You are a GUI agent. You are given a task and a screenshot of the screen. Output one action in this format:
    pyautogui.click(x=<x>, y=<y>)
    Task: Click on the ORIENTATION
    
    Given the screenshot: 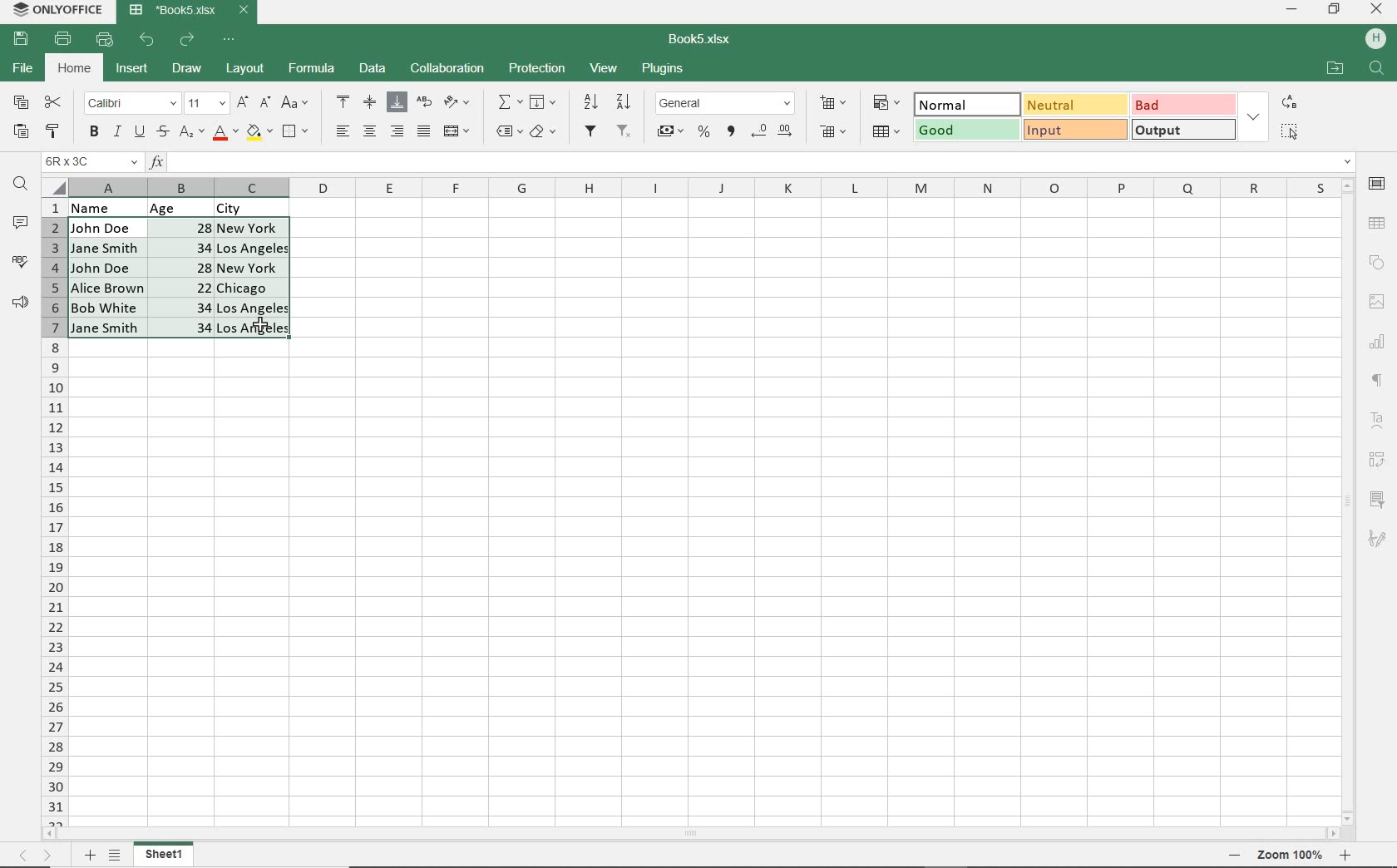 What is the action you would take?
    pyautogui.click(x=458, y=103)
    